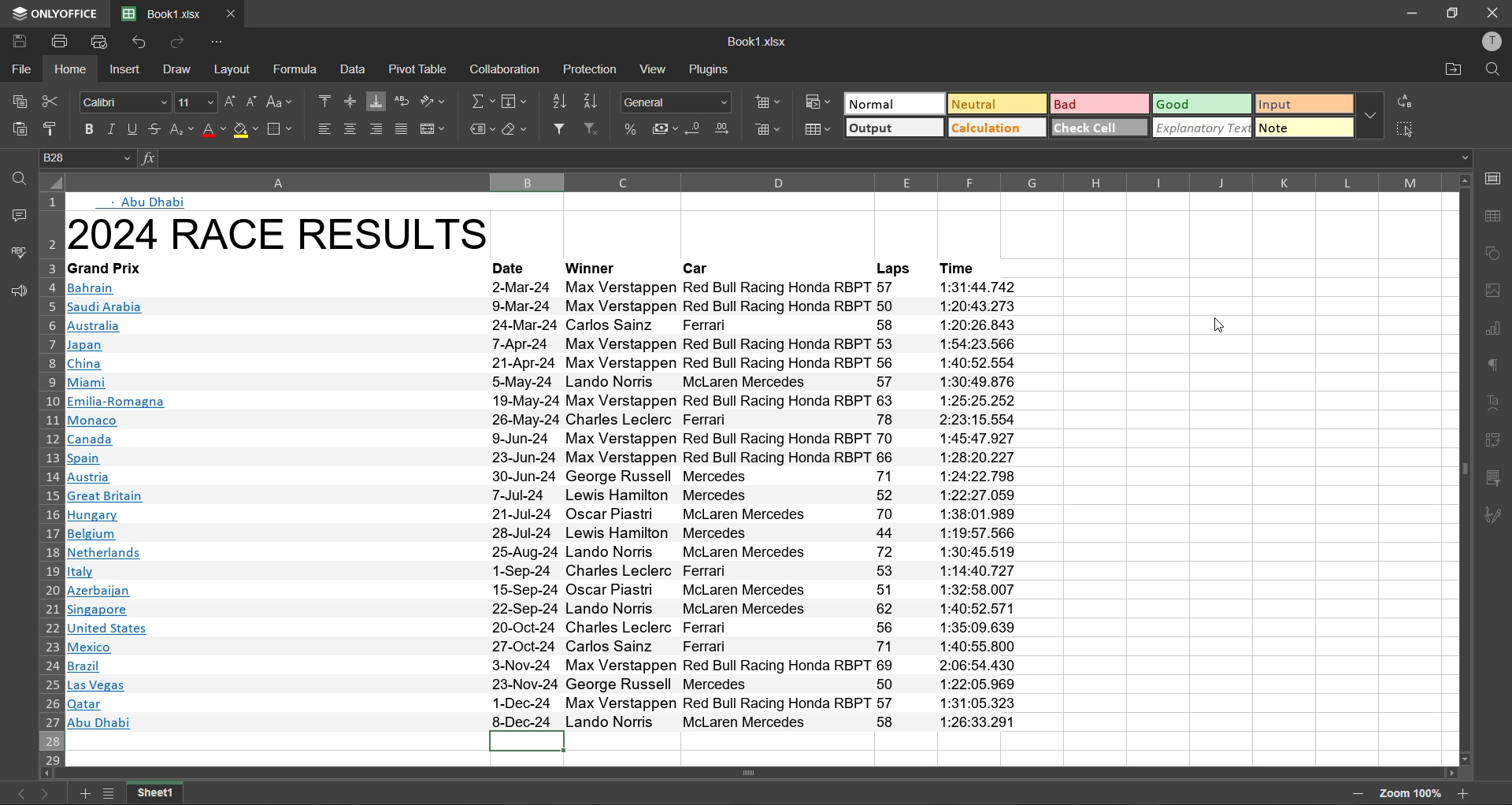 The width and height of the screenshot is (1512, 805). I want to click on justified, so click(402, 129).